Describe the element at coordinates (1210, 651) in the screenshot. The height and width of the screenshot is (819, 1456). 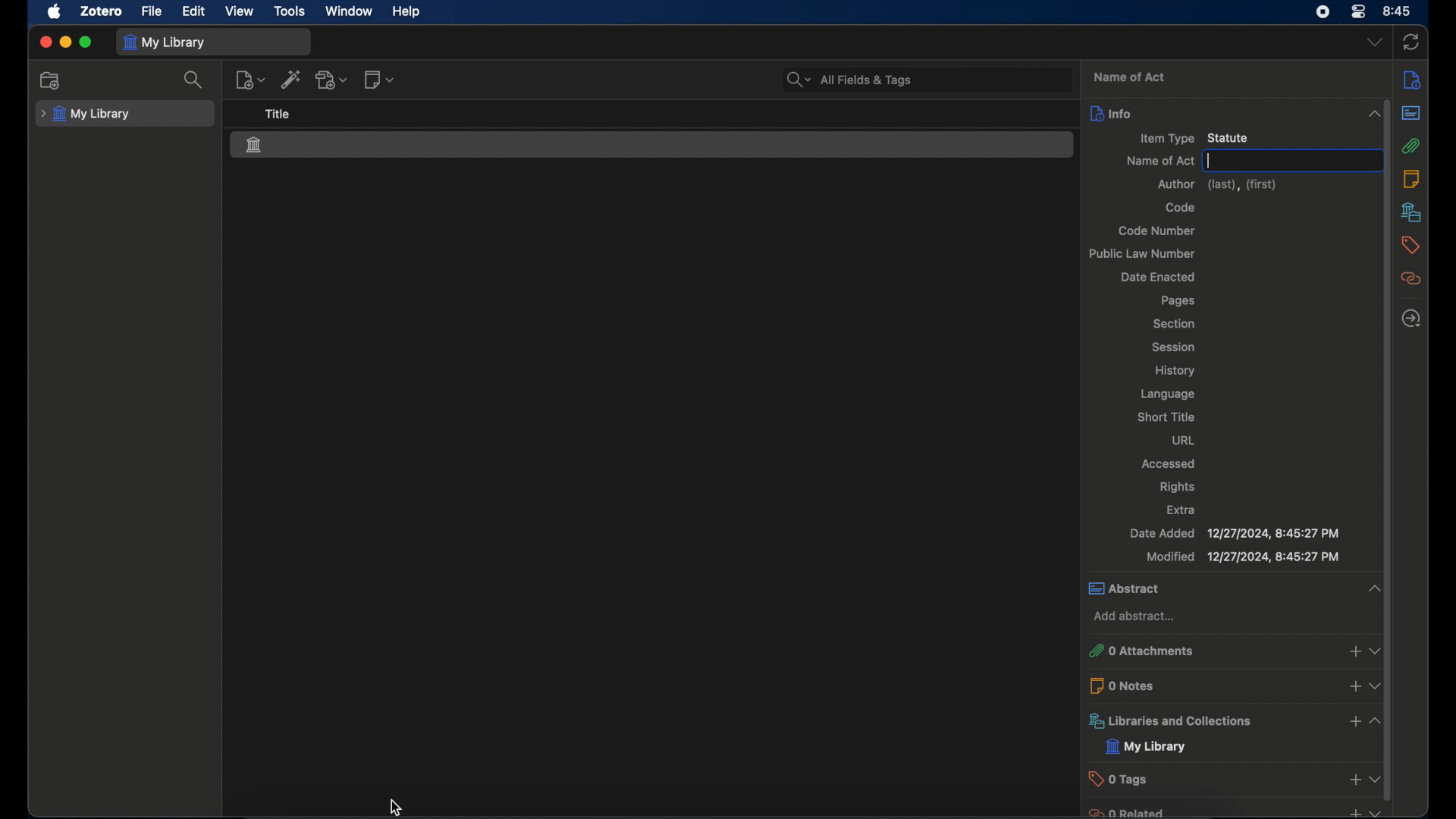
I see `0 attachments` at that location.